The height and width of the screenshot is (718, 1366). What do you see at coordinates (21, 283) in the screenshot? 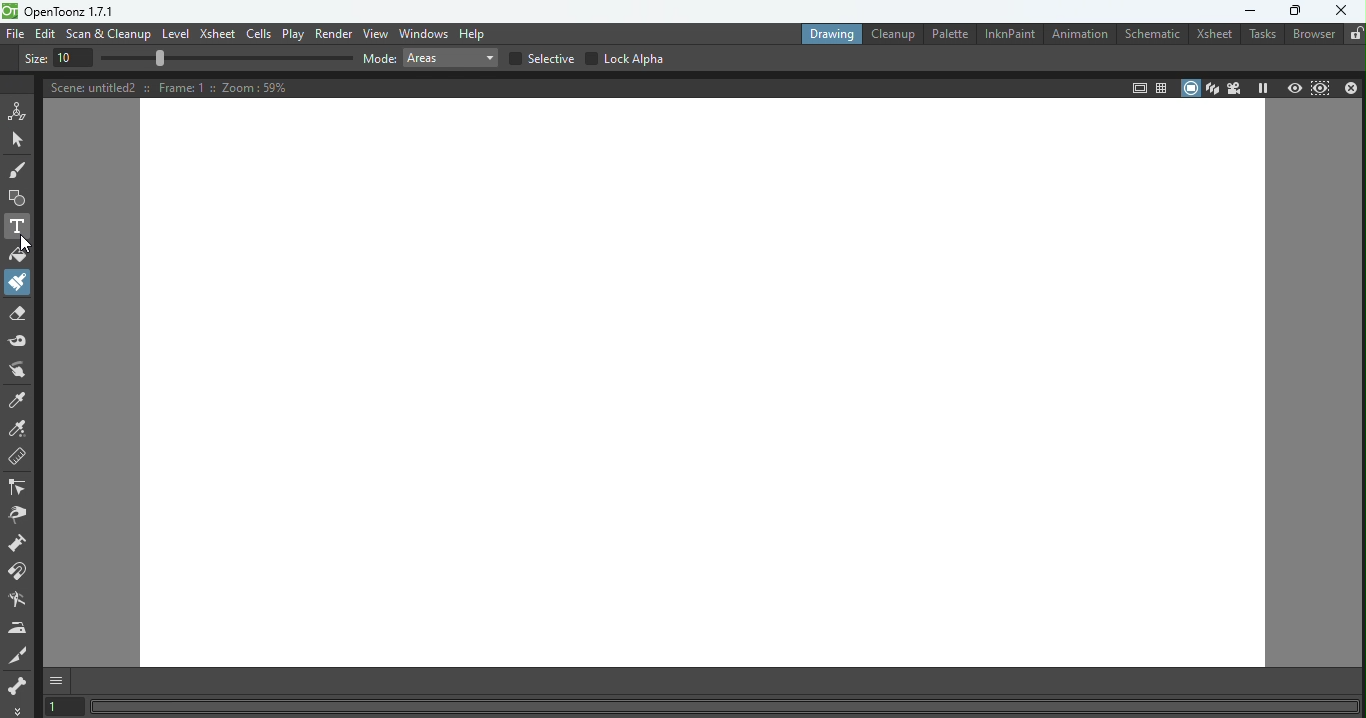
I see `Paint Brush tool` at bounding box center [21, 283].